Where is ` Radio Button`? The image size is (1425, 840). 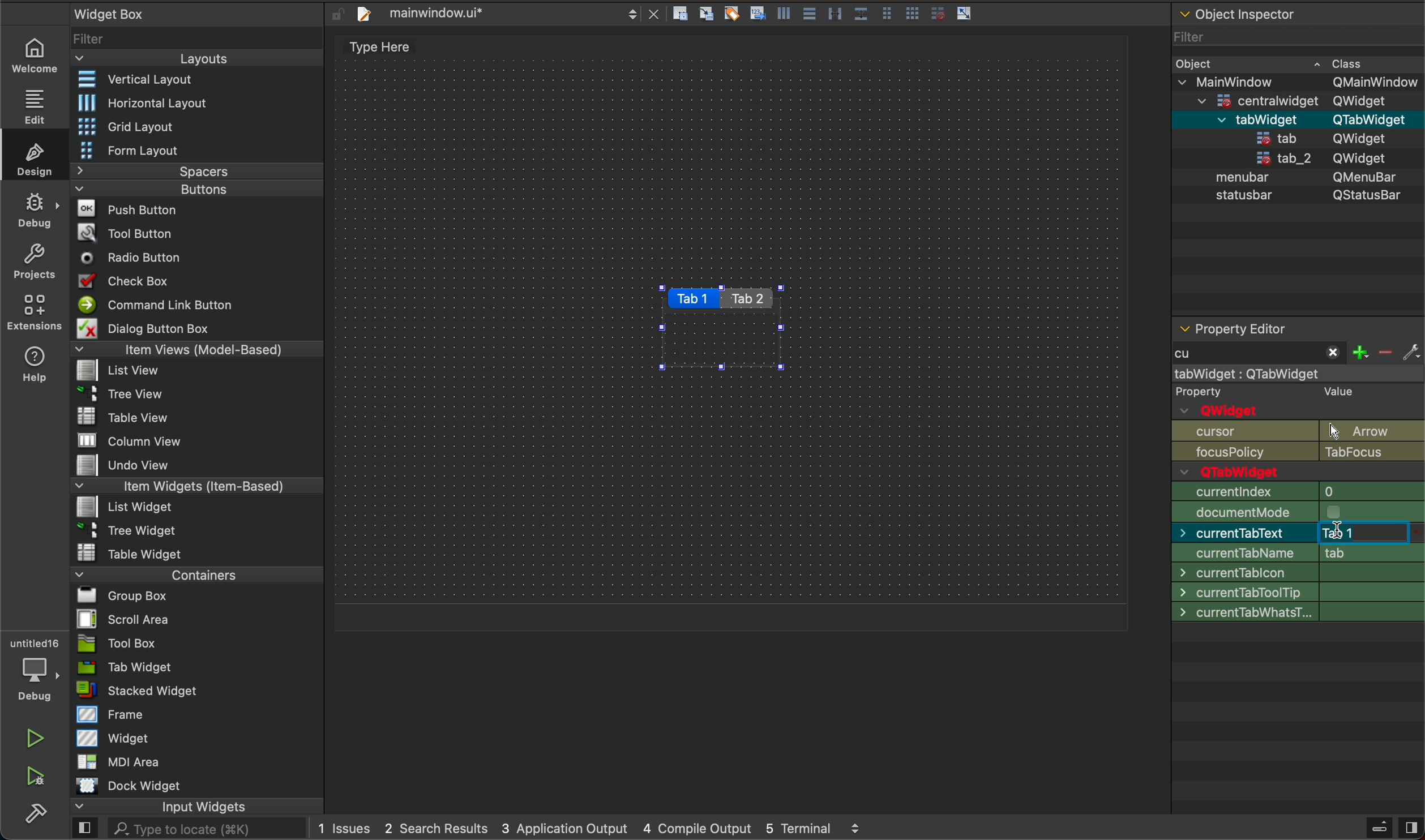
 Radio Button is located at coordinates (125, 258).